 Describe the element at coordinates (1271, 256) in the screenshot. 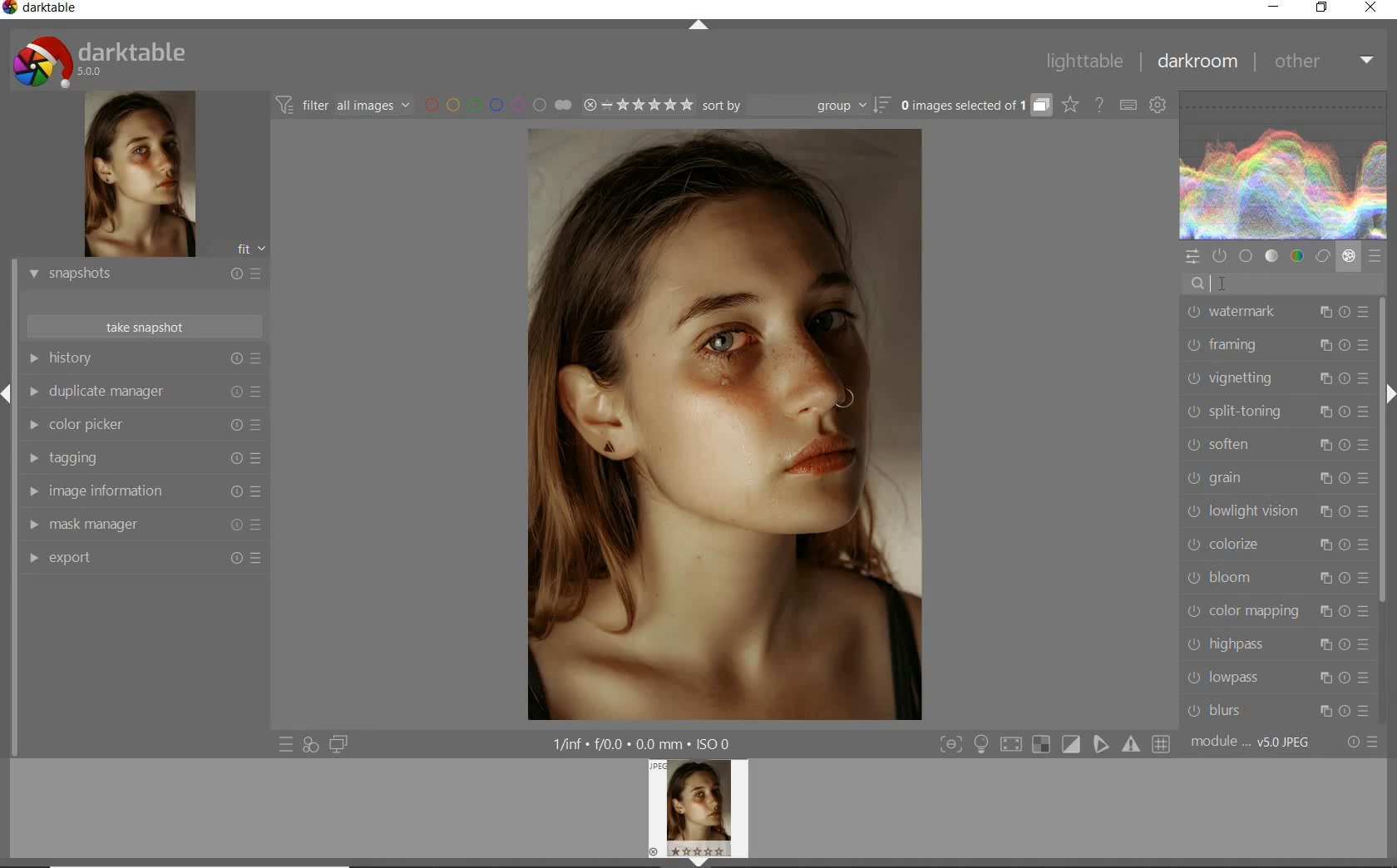

I see `tone` at that location.